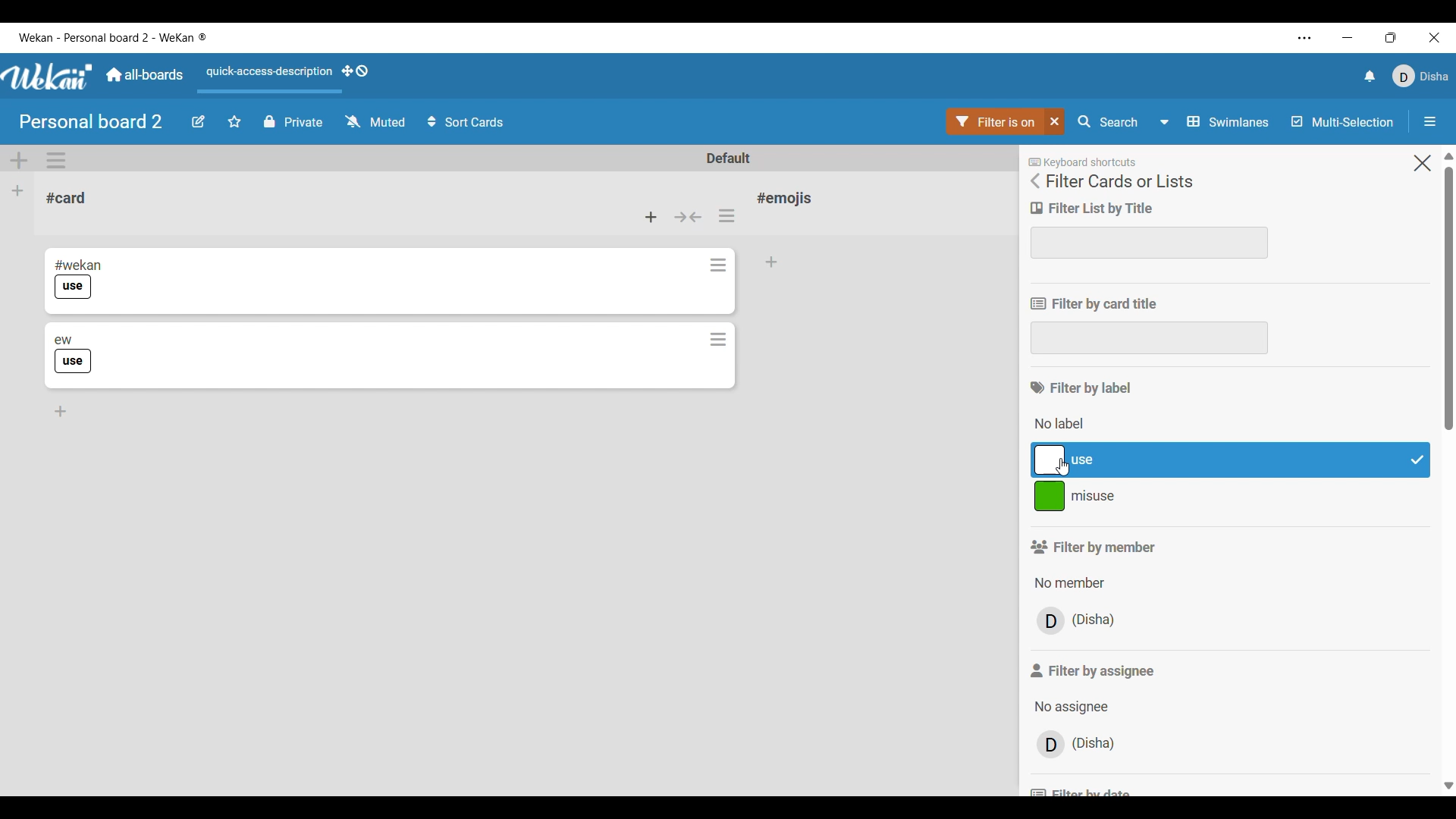  Describe the element at coordinates (48, 77) in the screenshot. I see `Software logo` at that location.